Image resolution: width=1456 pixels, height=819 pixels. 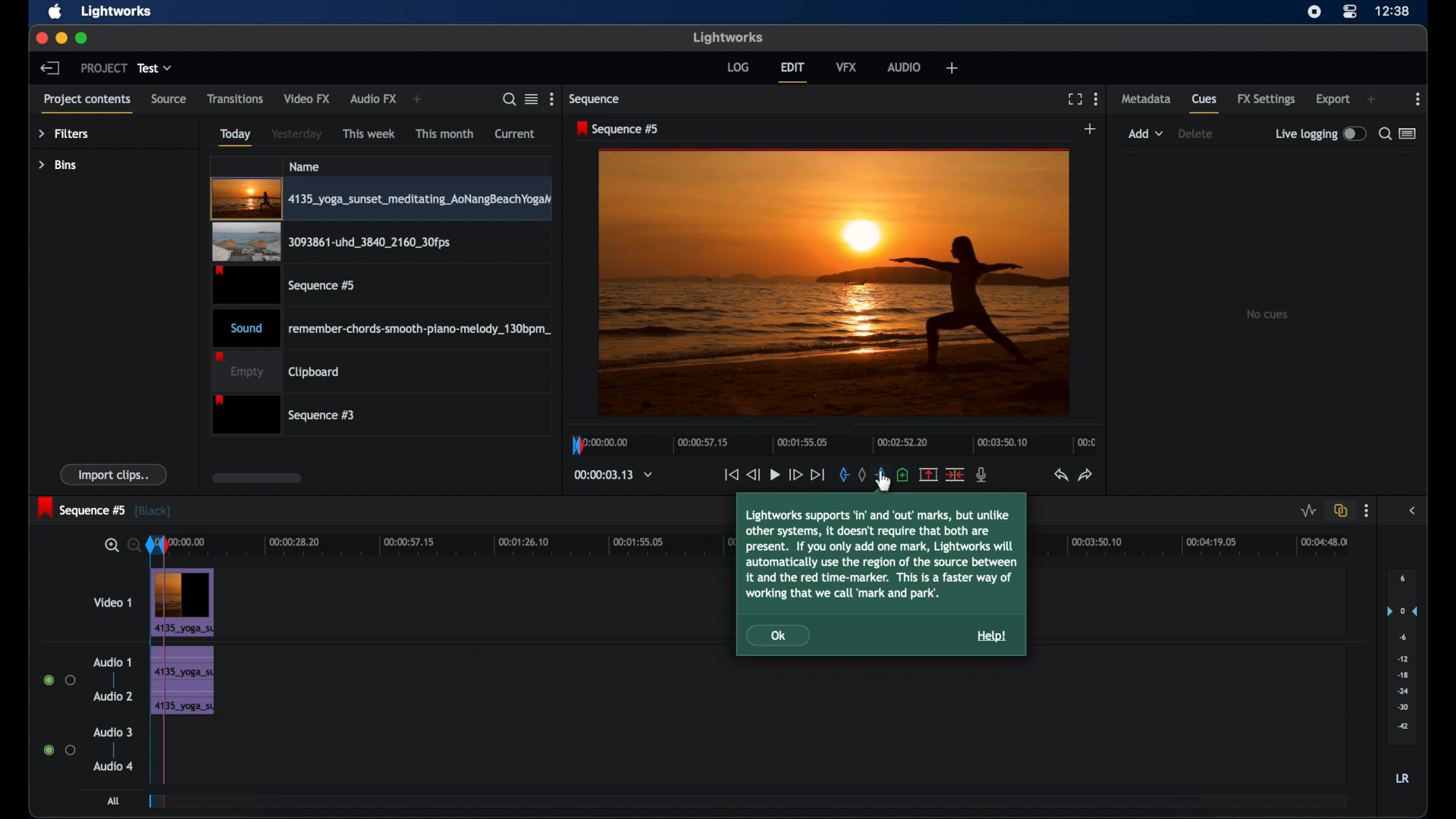 I want to click on full screen, so click(x=1075, y=98).